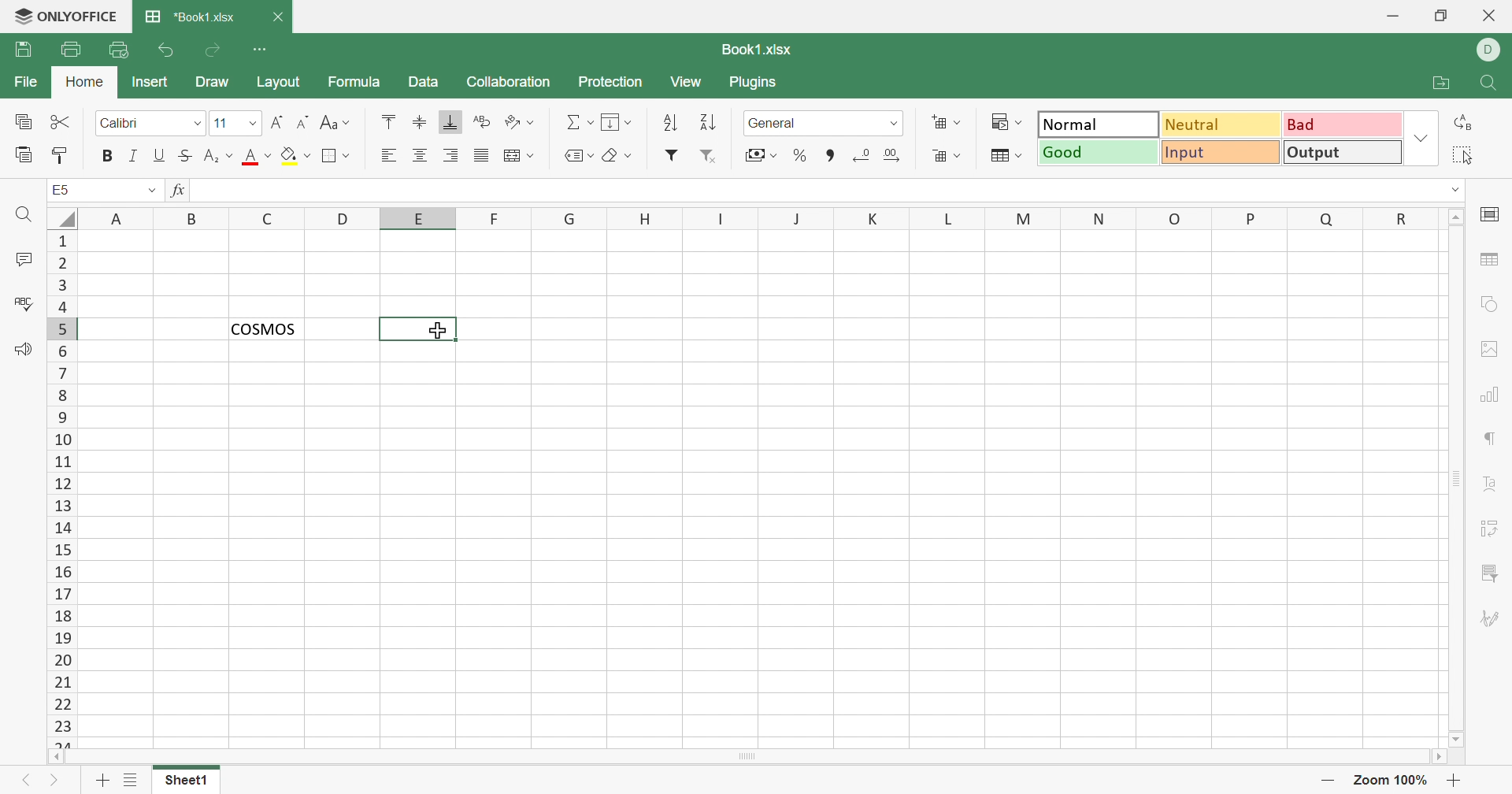 The image size is (1512, 794). What do you see at coordinates (72, 49) in the screenshot?
I see `Print file` at bounding box center [72, 49].